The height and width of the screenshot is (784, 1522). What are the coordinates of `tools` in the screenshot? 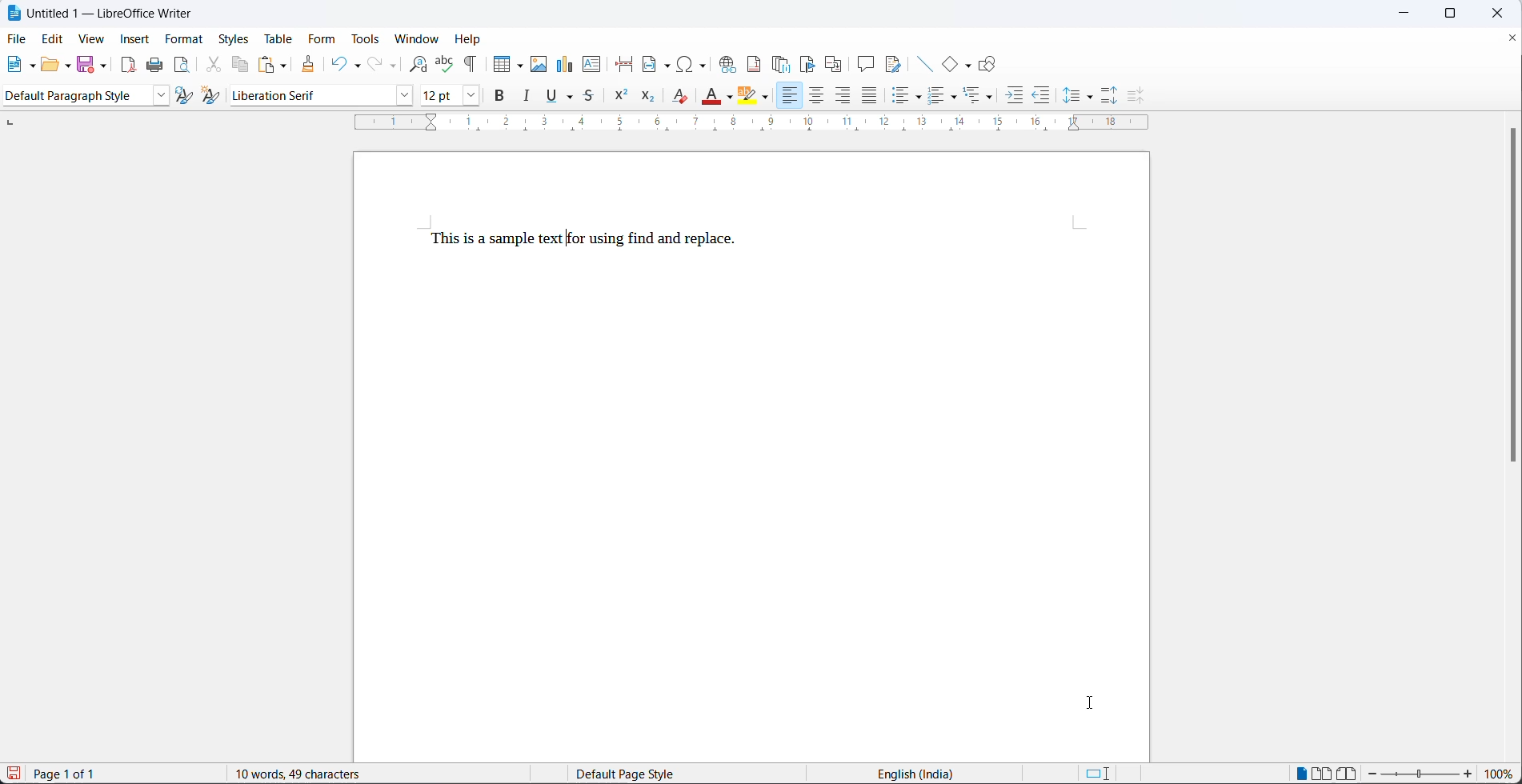 It's located at (368, 39).